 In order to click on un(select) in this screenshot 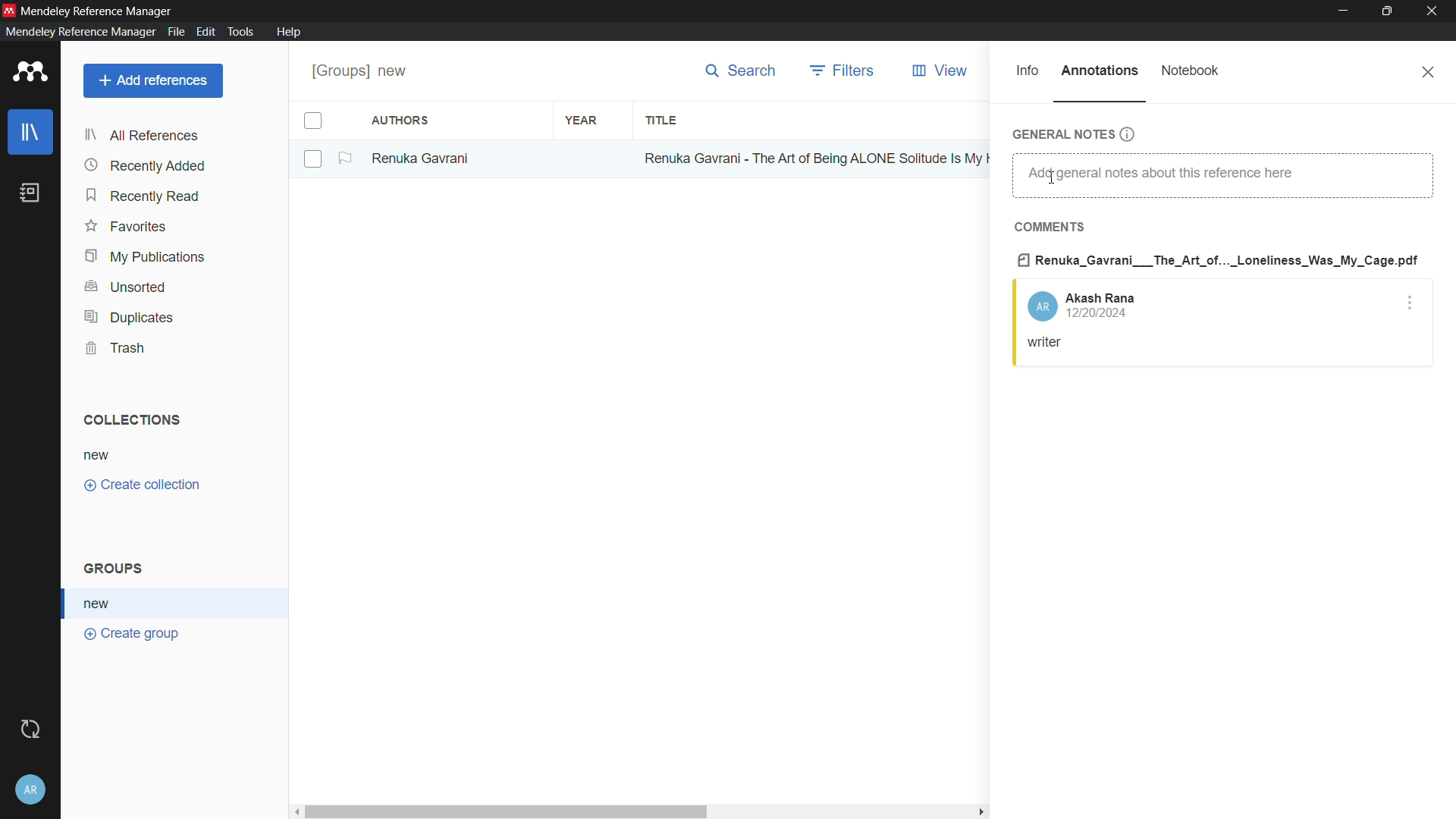, I will do `click(314, 160)`.